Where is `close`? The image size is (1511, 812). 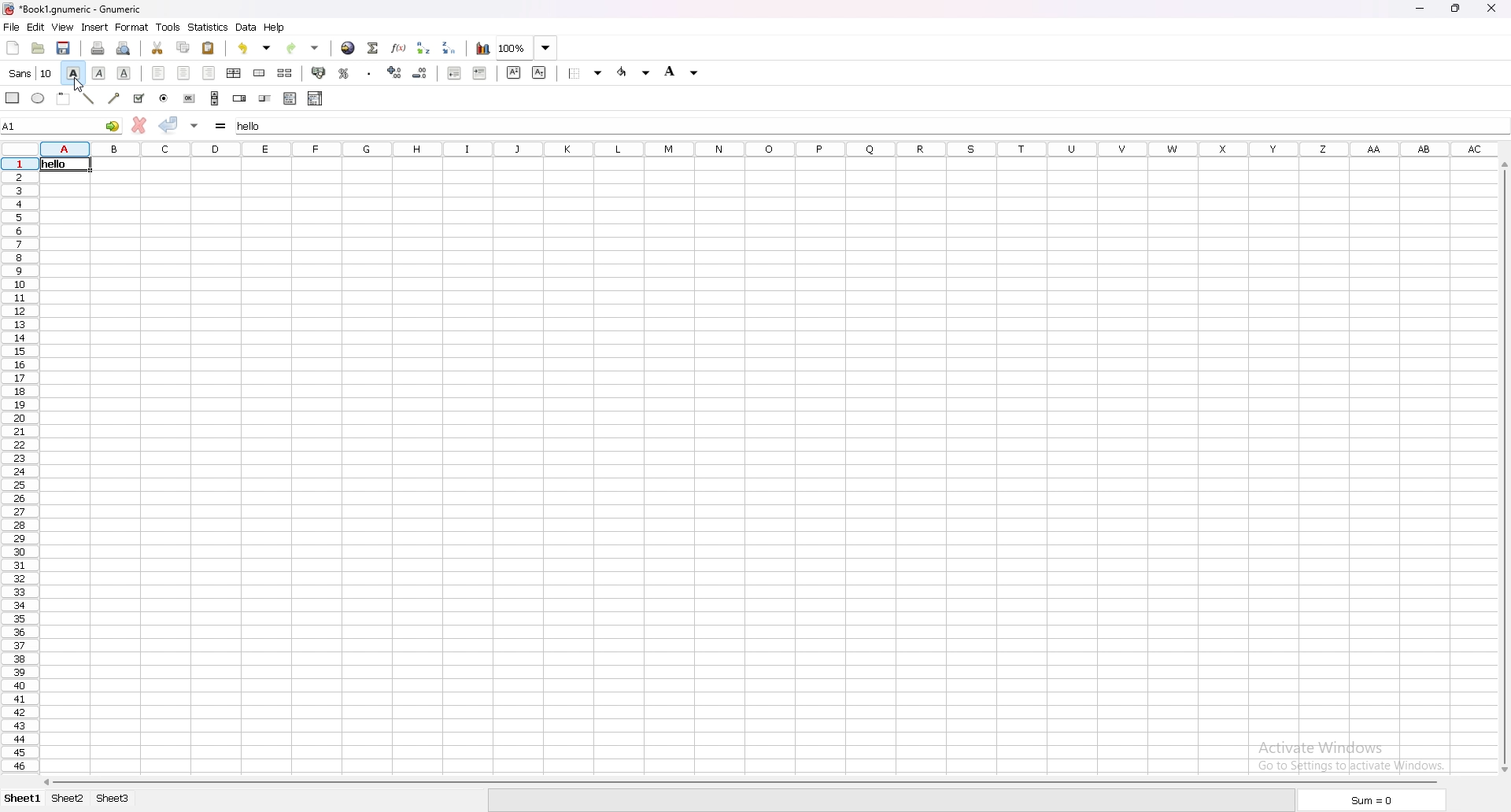
close is located at coordinates (1491, 8).